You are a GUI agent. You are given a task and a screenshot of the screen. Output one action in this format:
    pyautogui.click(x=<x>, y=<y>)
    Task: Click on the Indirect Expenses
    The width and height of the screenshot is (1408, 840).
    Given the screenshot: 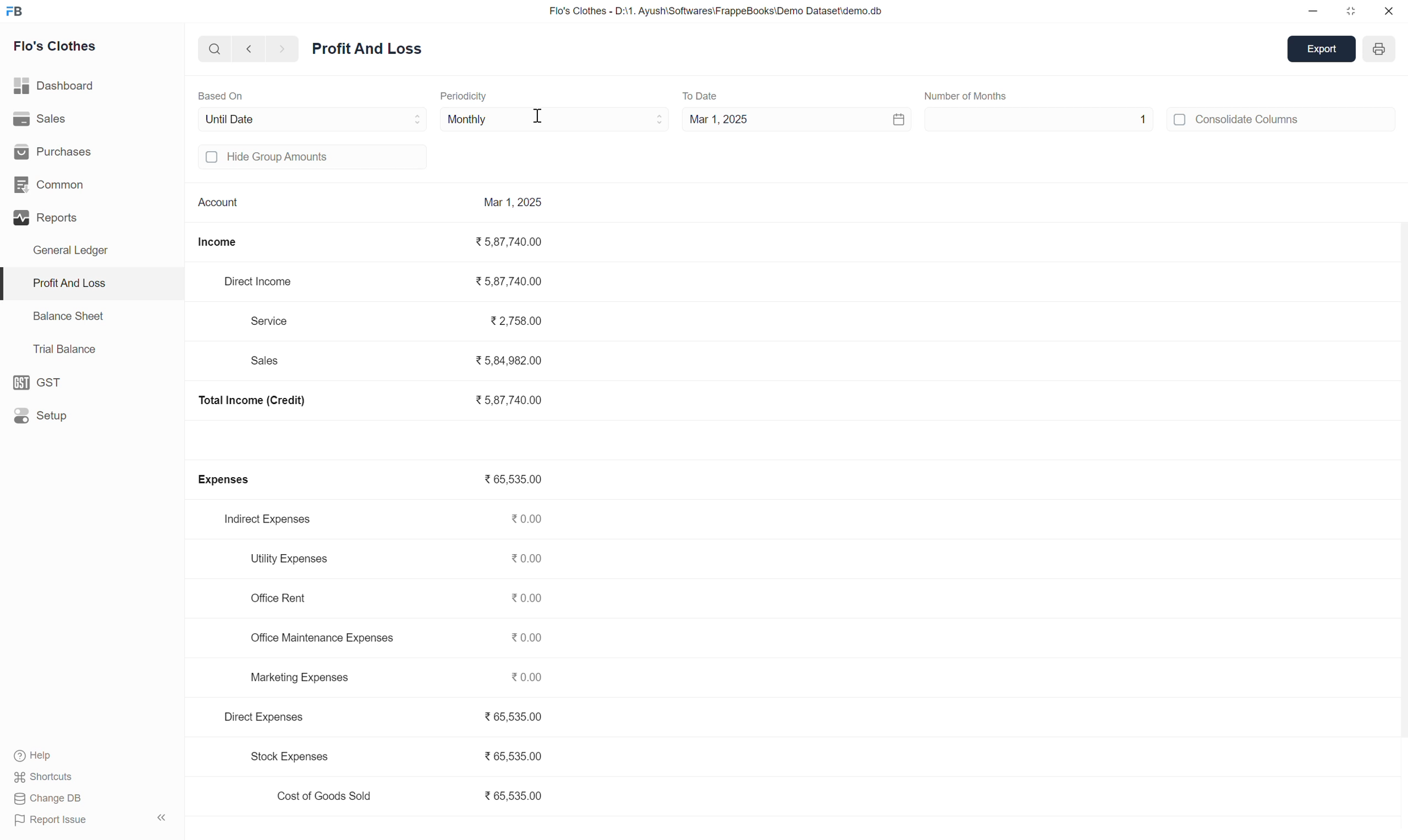 What is the action you would take?
    pyautogui.click(x=273, y=518)
    